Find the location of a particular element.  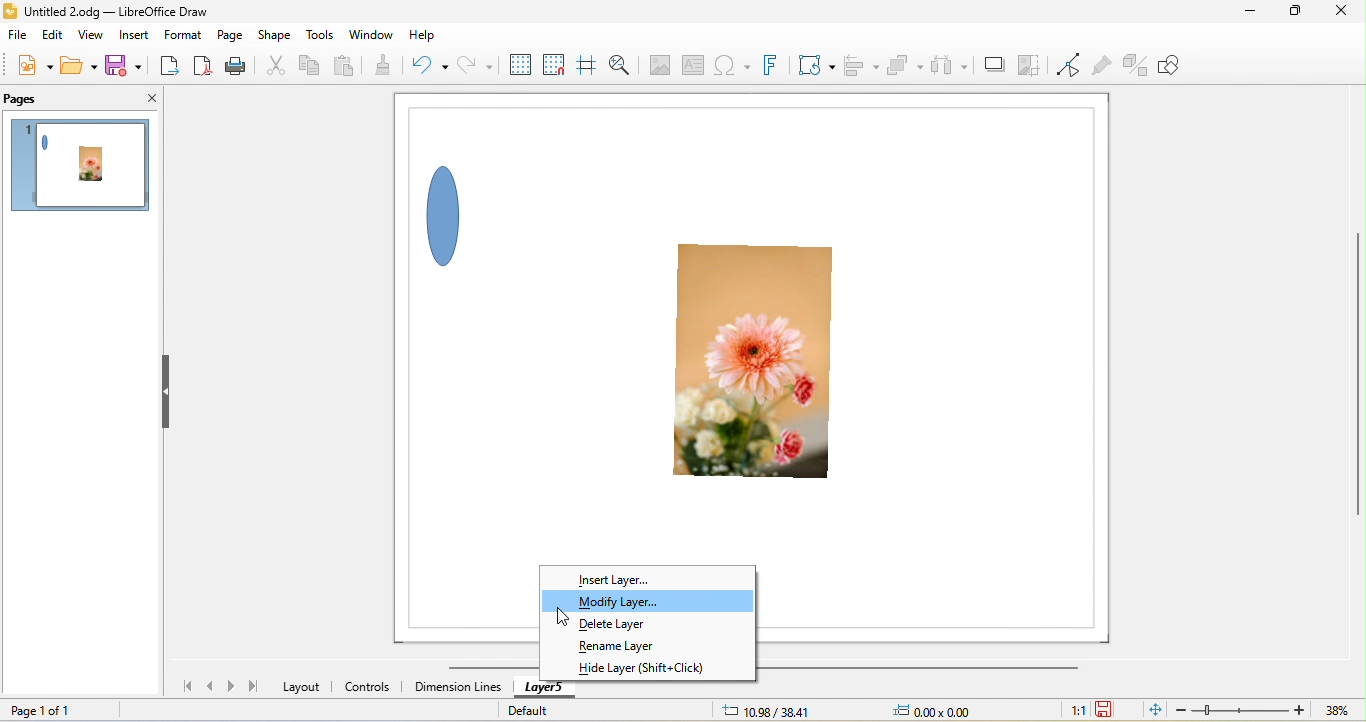

layer 5 is located at coordinates (544, 689).